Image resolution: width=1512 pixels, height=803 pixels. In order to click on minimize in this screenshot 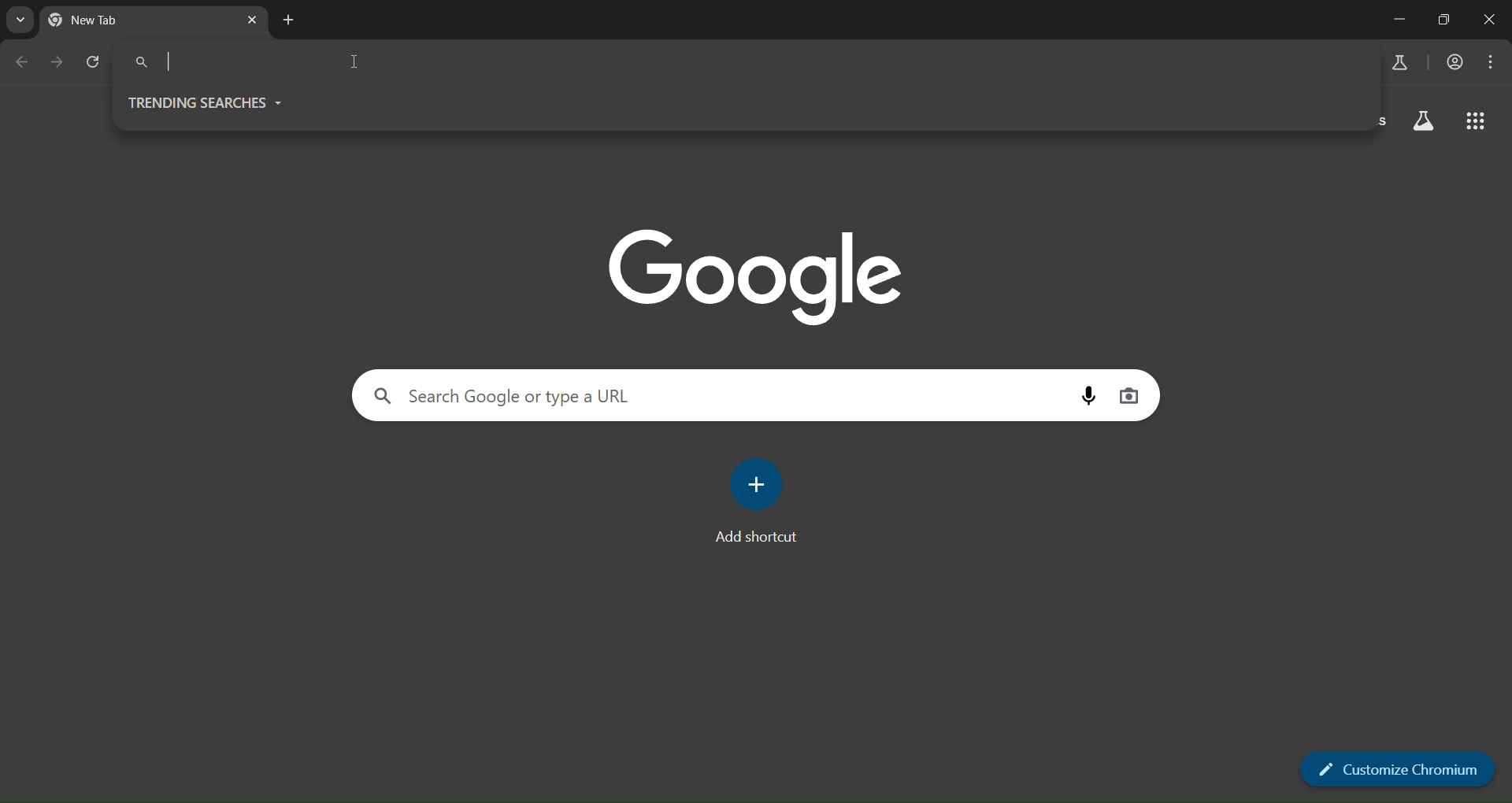, I will do `click(1395, 19)`.